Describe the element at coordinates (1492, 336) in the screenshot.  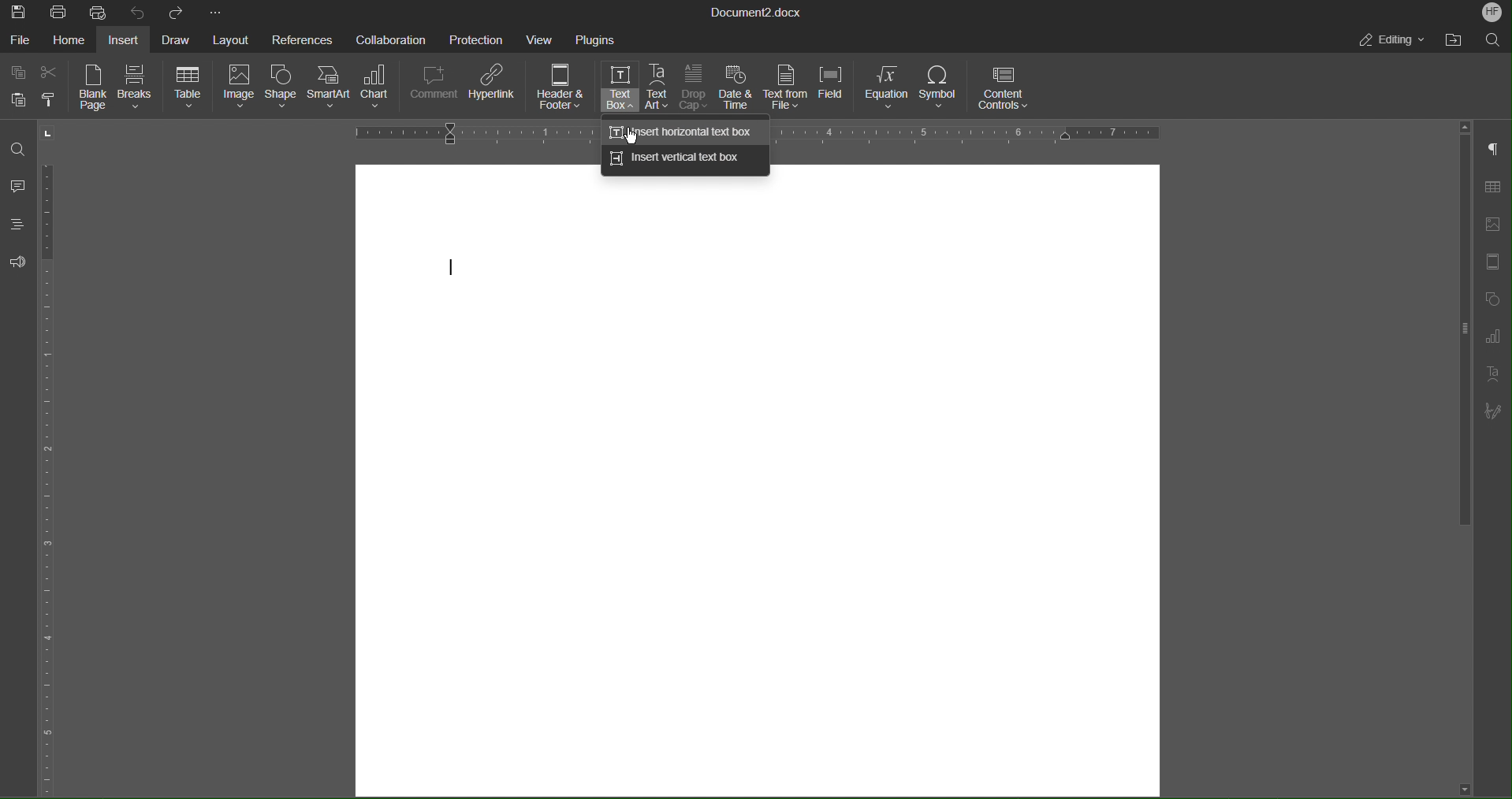
I see `Graph` at that location.